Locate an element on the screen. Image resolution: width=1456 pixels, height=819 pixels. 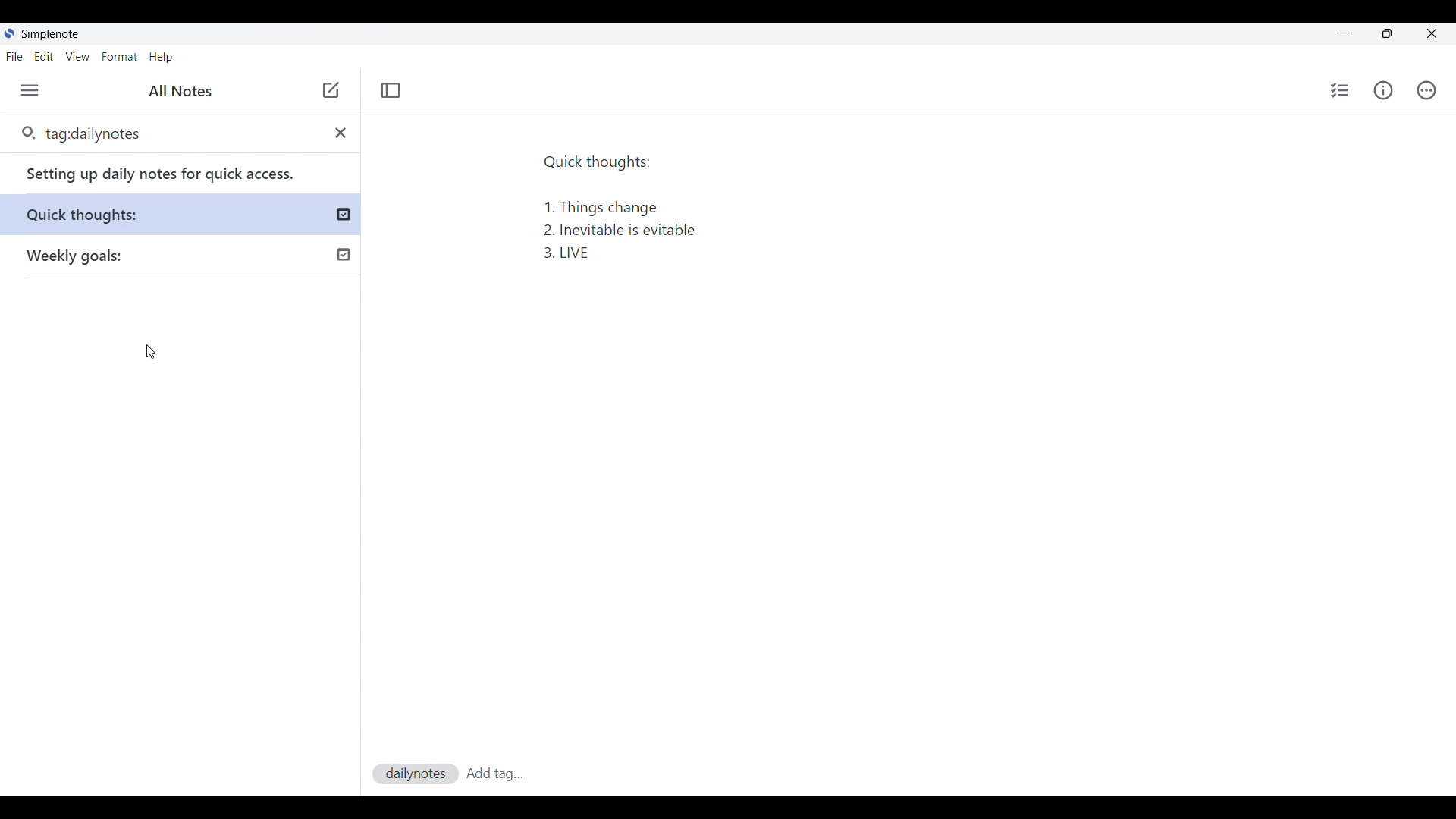
Insert checklist is located at coordinates (1339, 90).